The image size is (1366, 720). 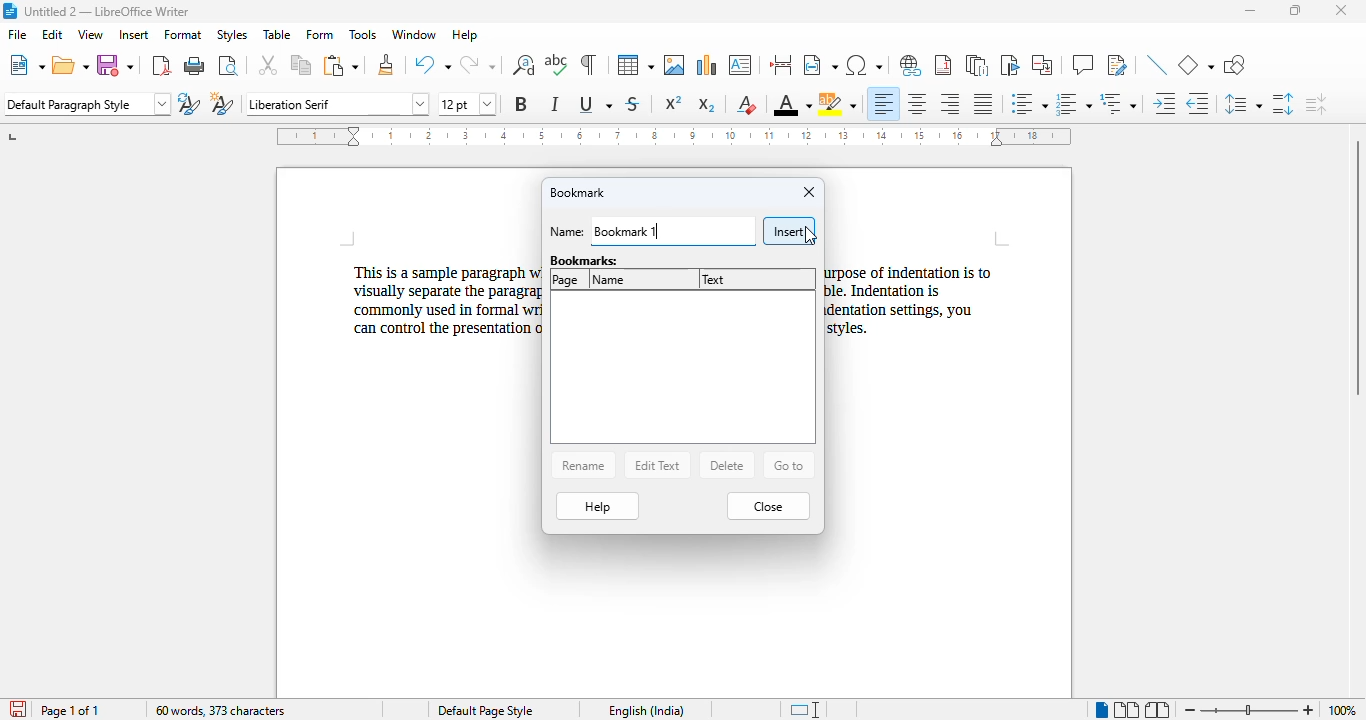 What do you see at coordinates (18, 709) in the screenshot?
I see `click to save the document` at bounding box center [18, 709].